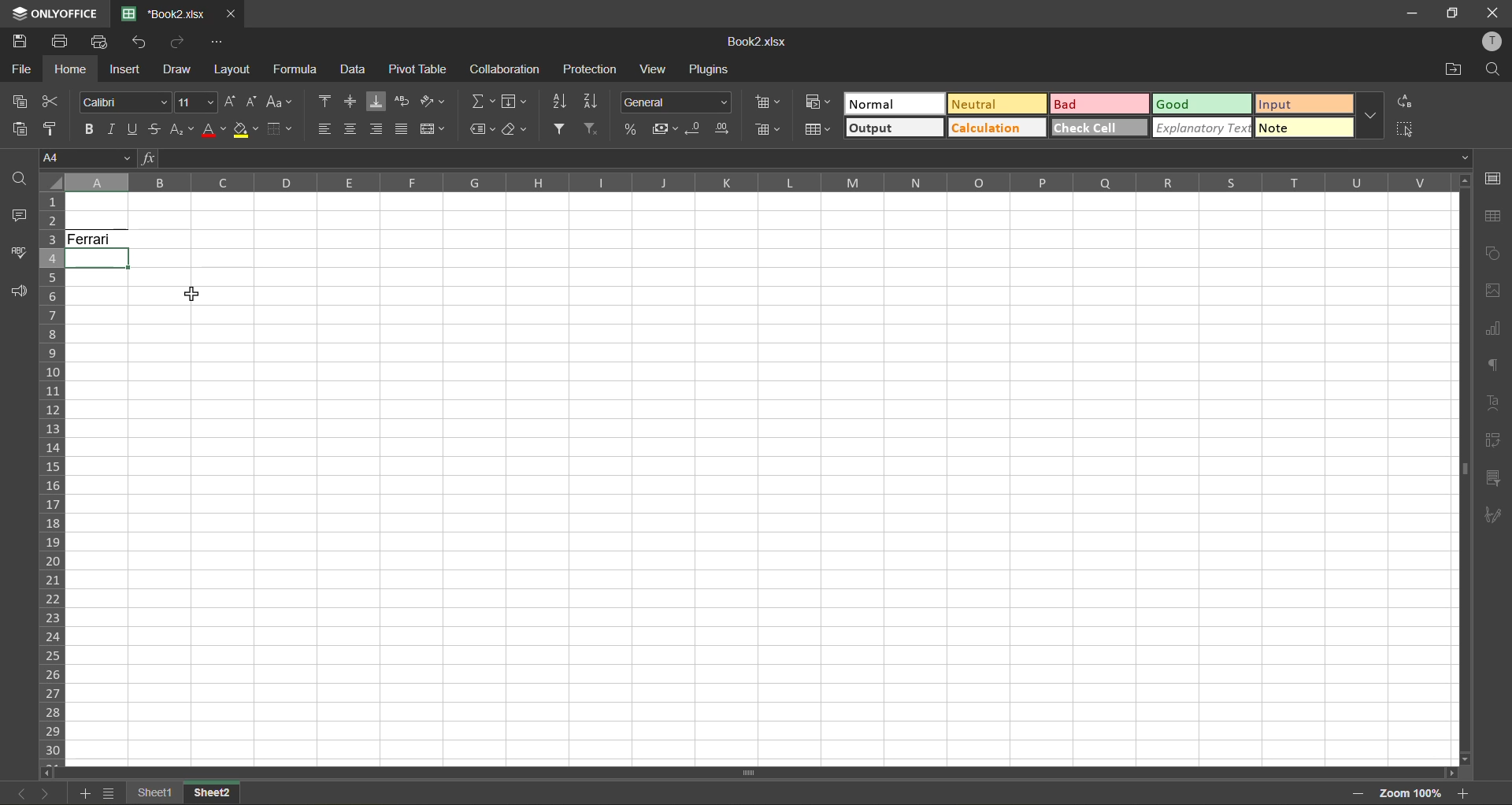 The image size is (1512, 805). Describe the element at coordinates (897, 129) in the screenshot. I see `output` at that location.